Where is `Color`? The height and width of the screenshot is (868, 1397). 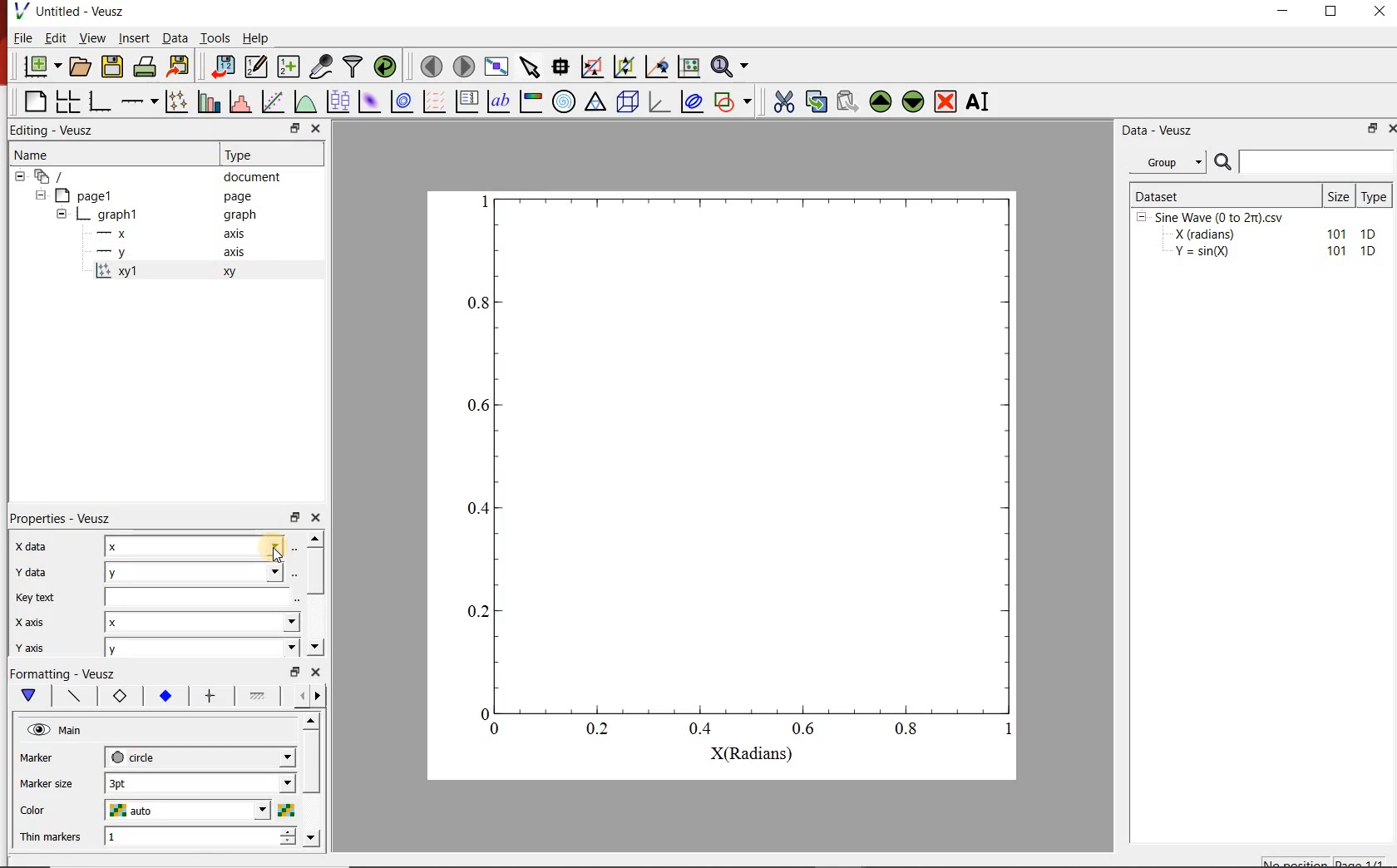
Color is located at coordinates (38, 808).